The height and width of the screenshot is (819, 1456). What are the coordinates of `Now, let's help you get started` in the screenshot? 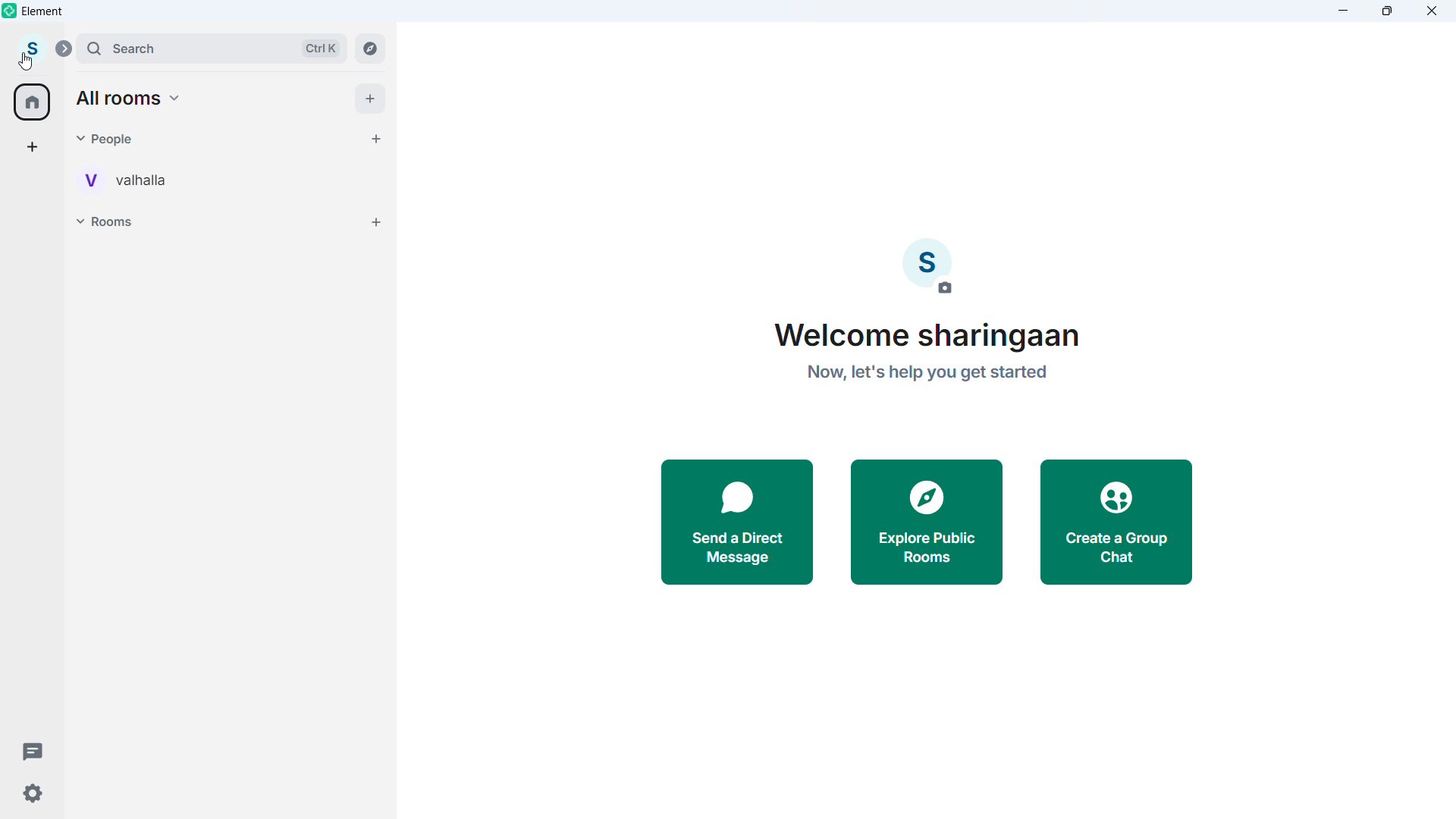 It's located at (927, 373).